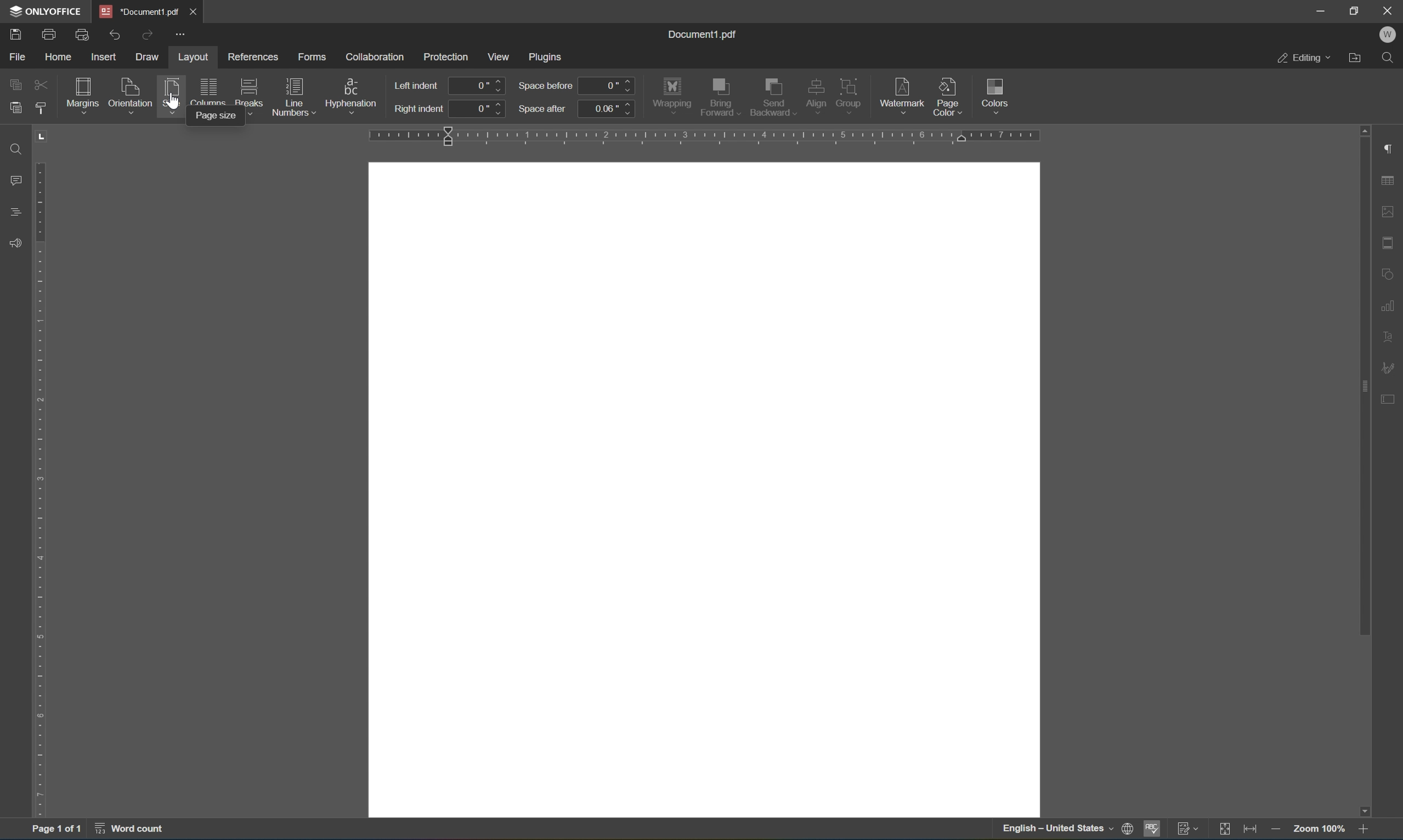  Describe the element at coordinates (1190, 830) in the screenshot. I see `track changes` at that location.